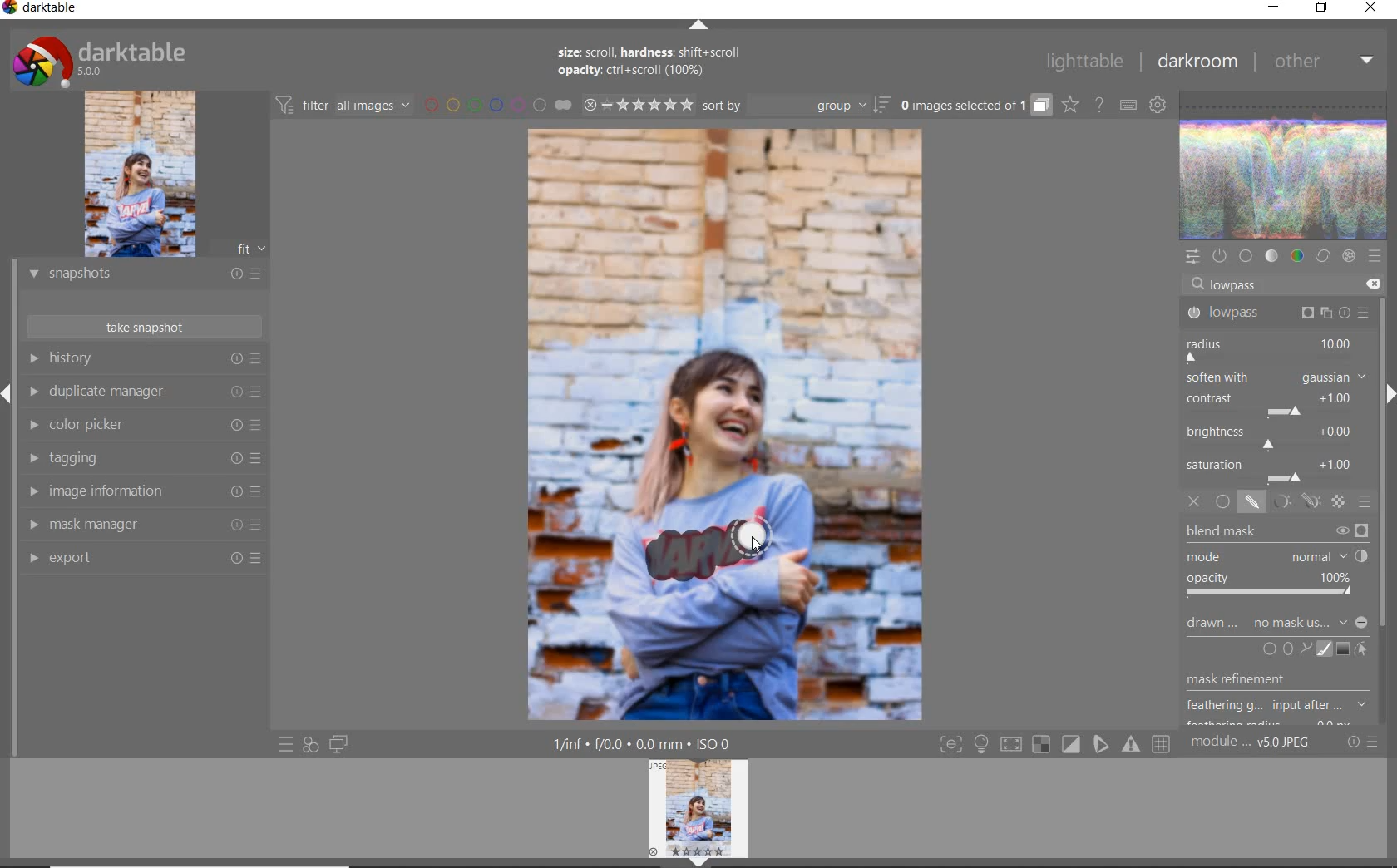  I want to click on correct, so click(1322, 257).